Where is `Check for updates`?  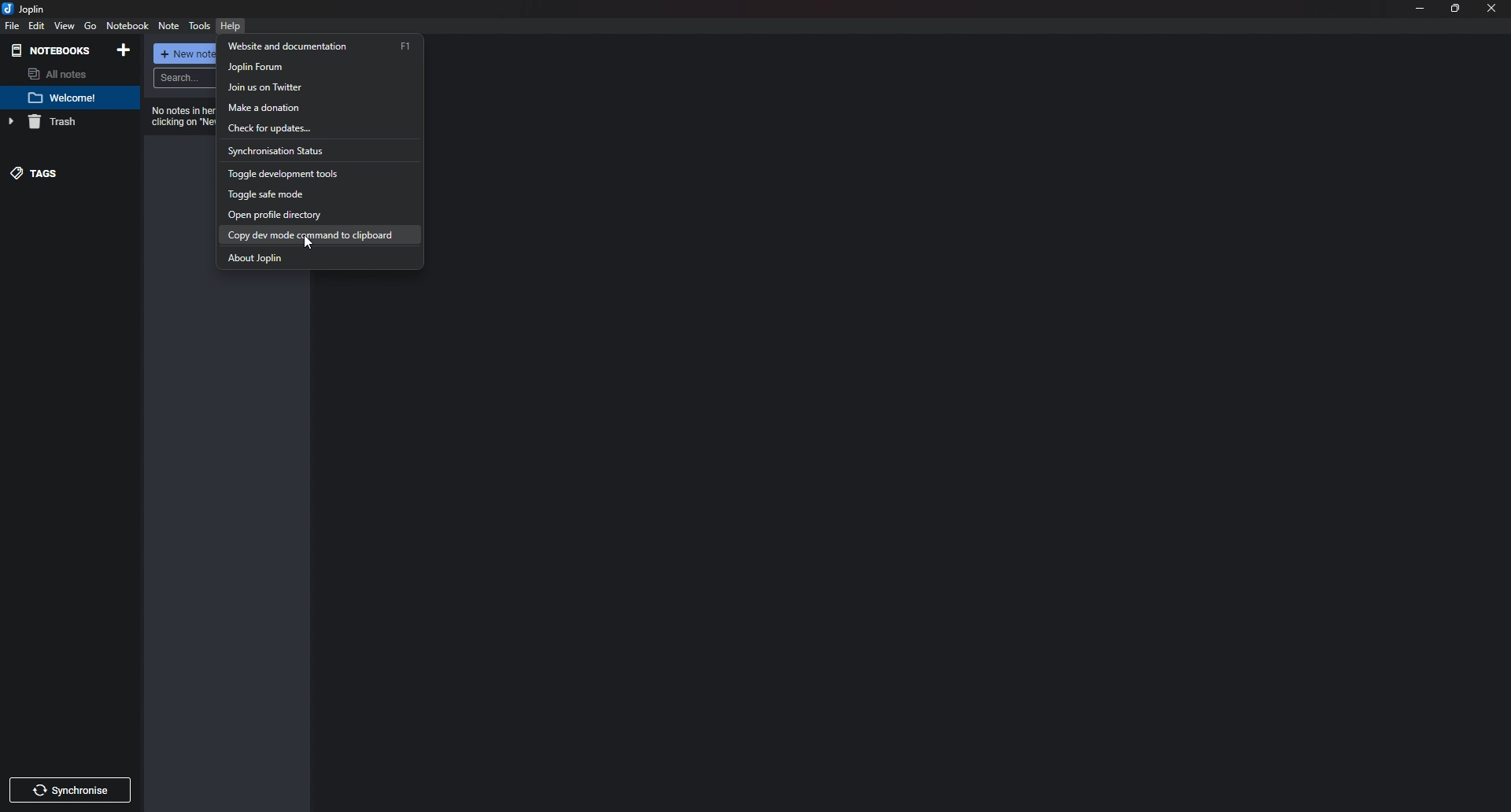
Check for updates is located at coordinates (309, 128).